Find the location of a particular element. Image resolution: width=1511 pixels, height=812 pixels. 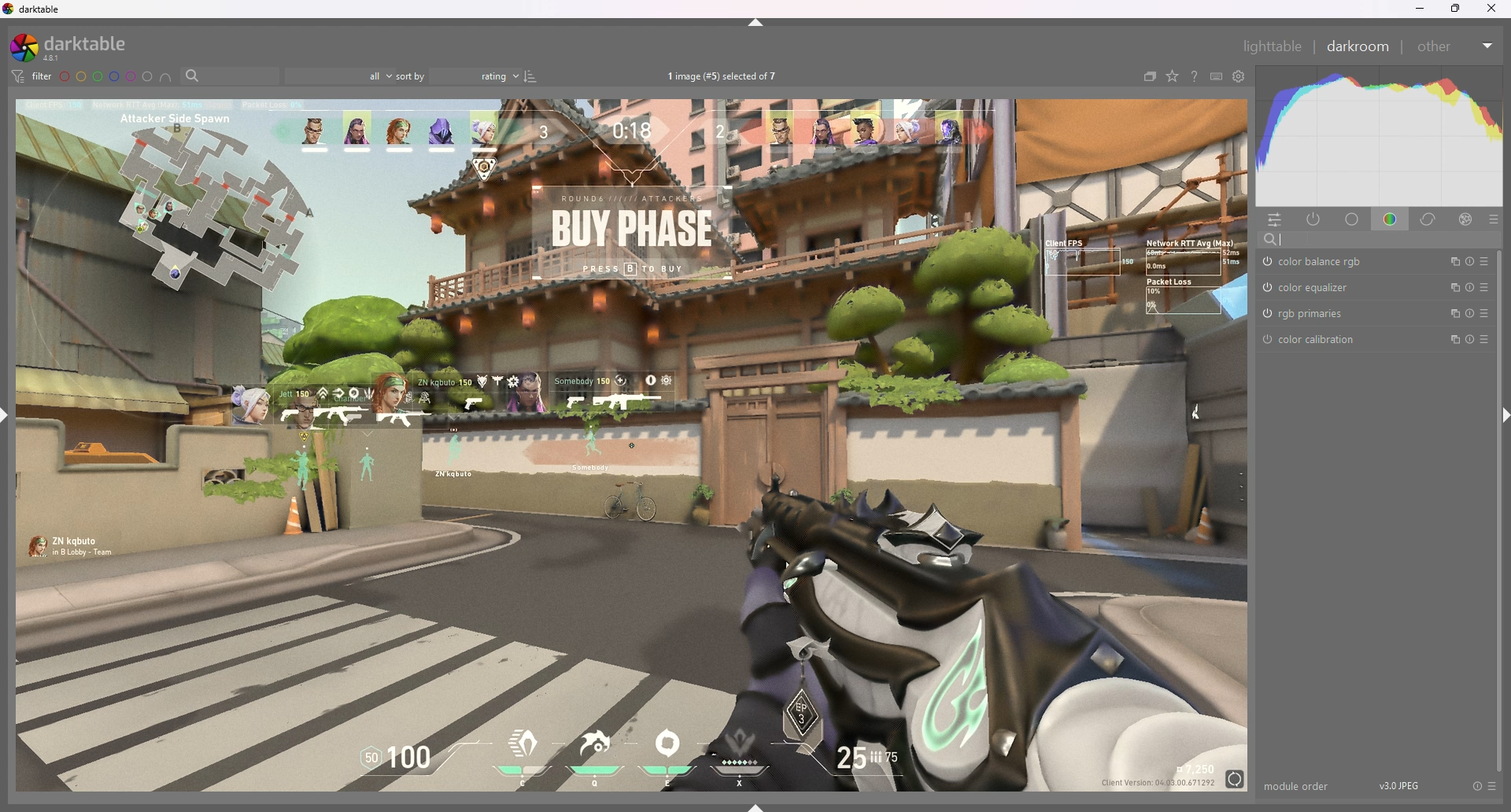

keyboard shortcuts is located at coordinates (1217, 76).